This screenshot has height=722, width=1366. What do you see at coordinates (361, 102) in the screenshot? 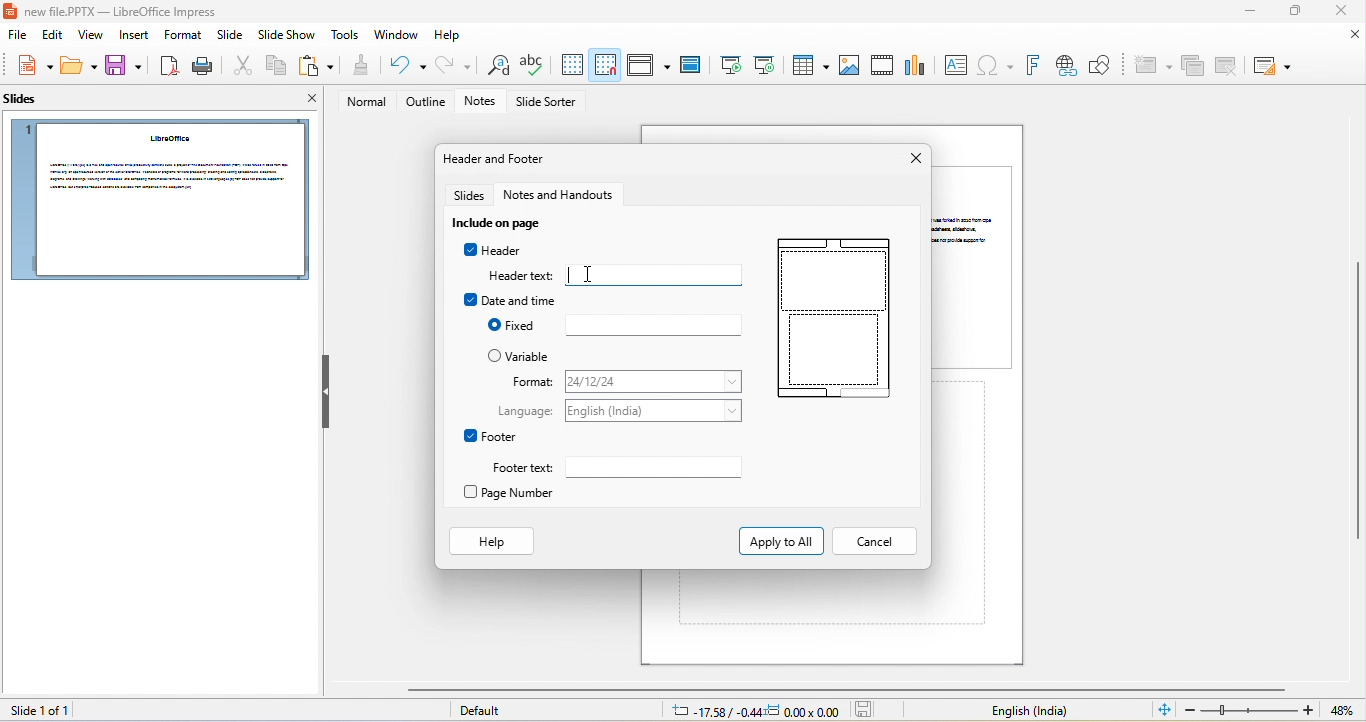
I see `normal` at bounding box center [361, 102].